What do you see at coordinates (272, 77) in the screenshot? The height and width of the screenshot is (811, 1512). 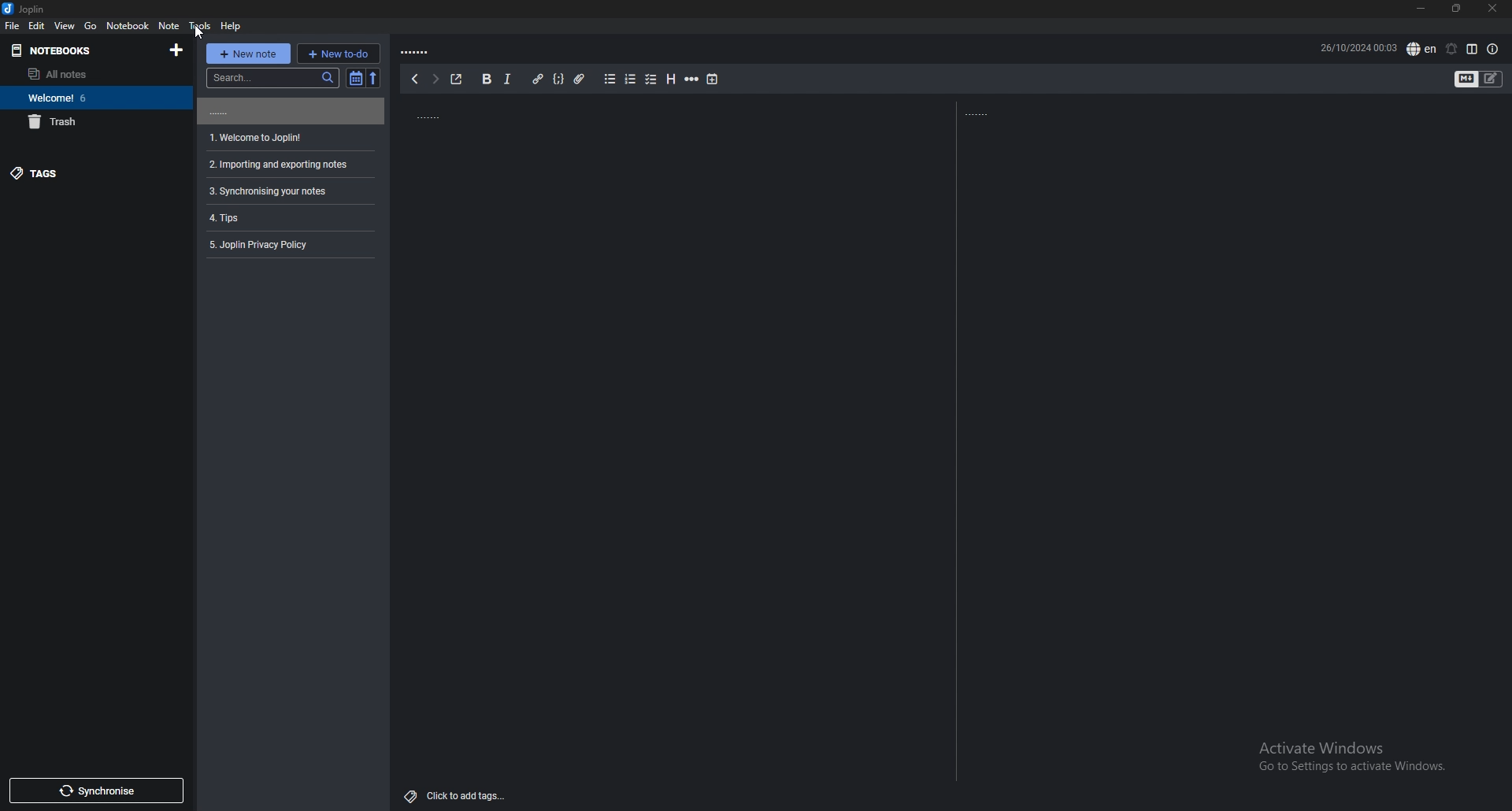 I see `search bar` at bounding box center [272, 77].